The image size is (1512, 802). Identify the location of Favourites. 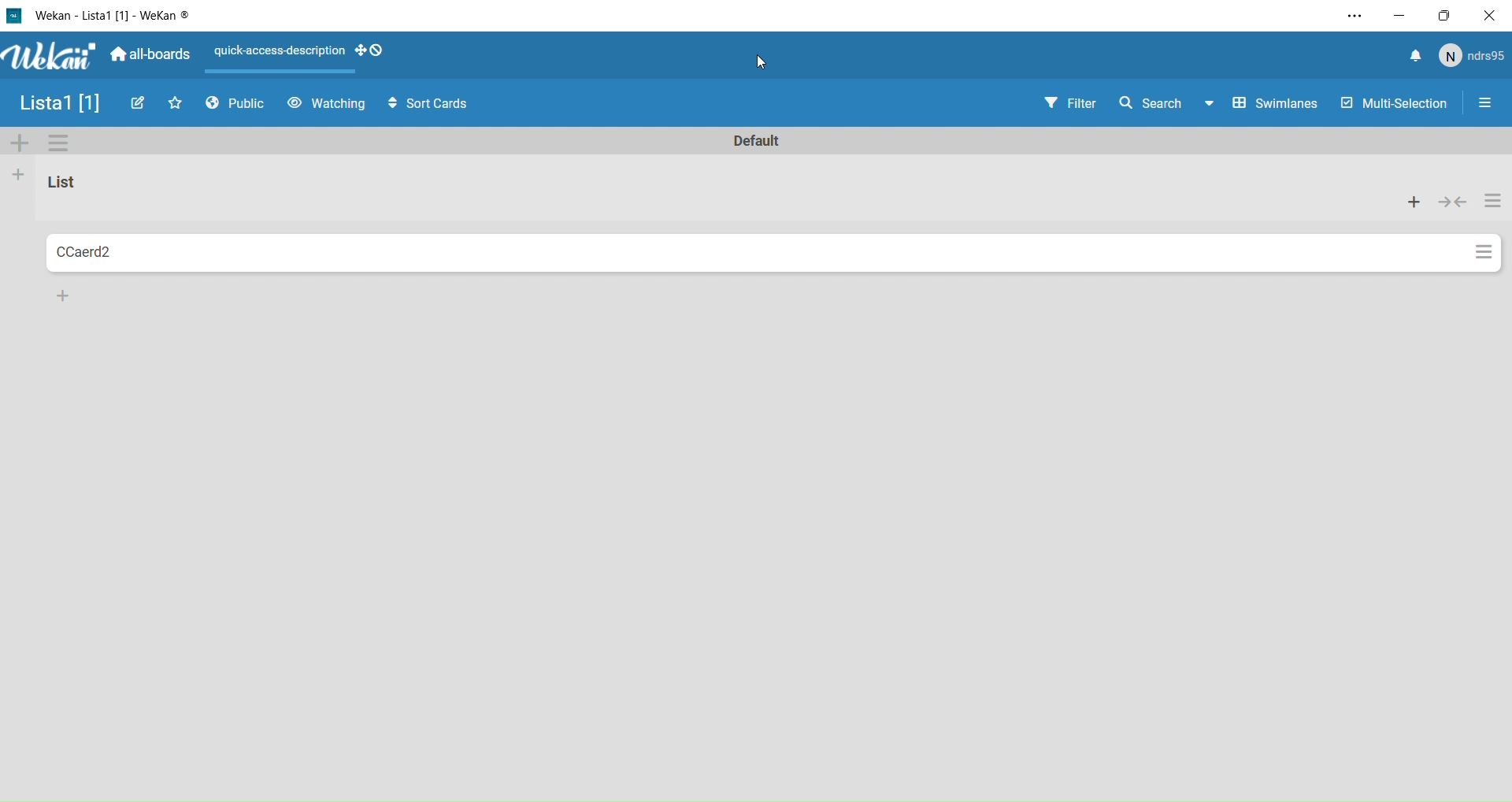
(176, 106).